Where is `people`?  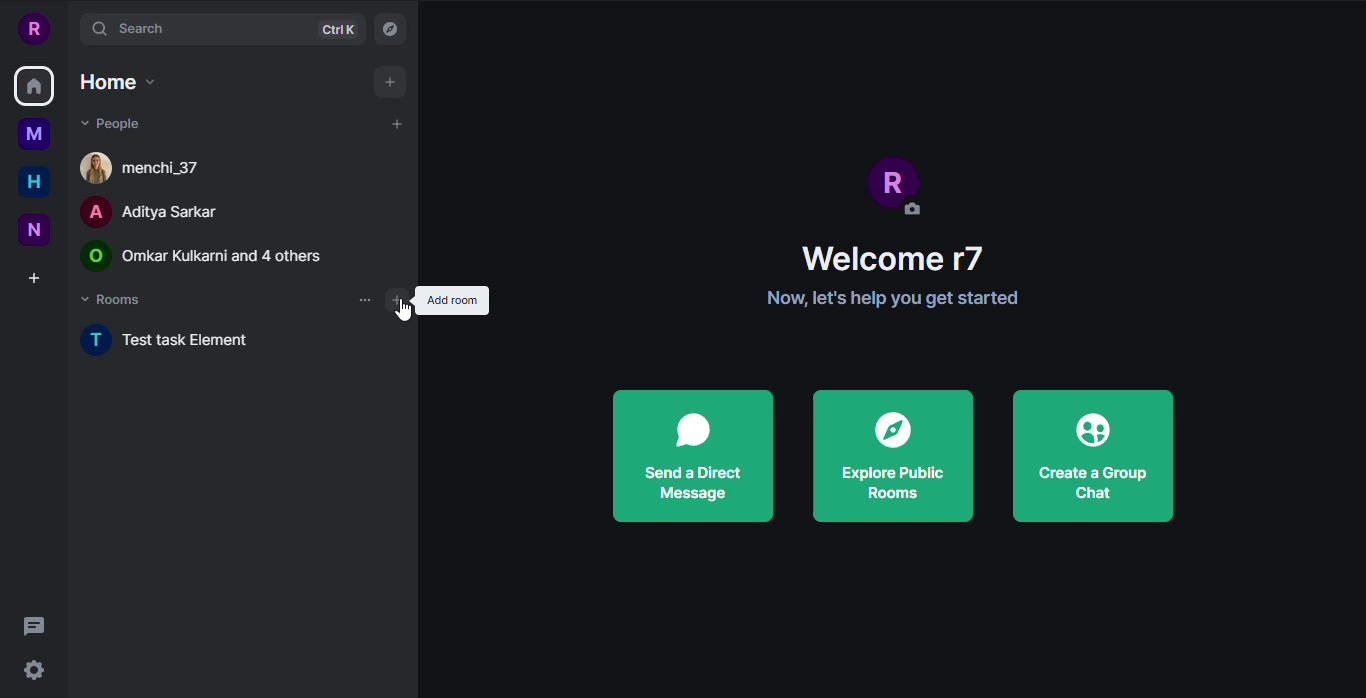
people is located at coordinates (146, 213).